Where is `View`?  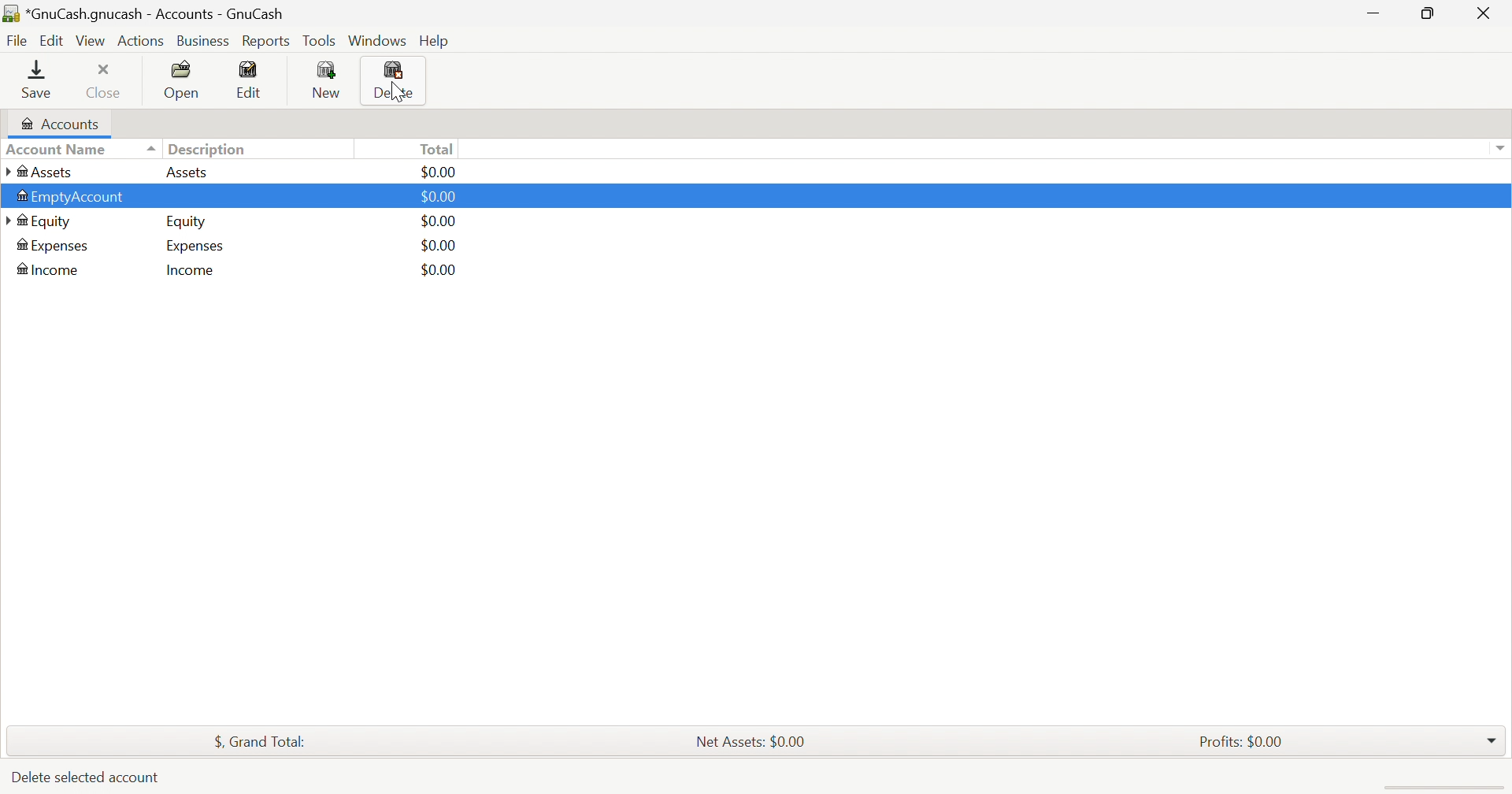
View is located at coordinates (91, 42).